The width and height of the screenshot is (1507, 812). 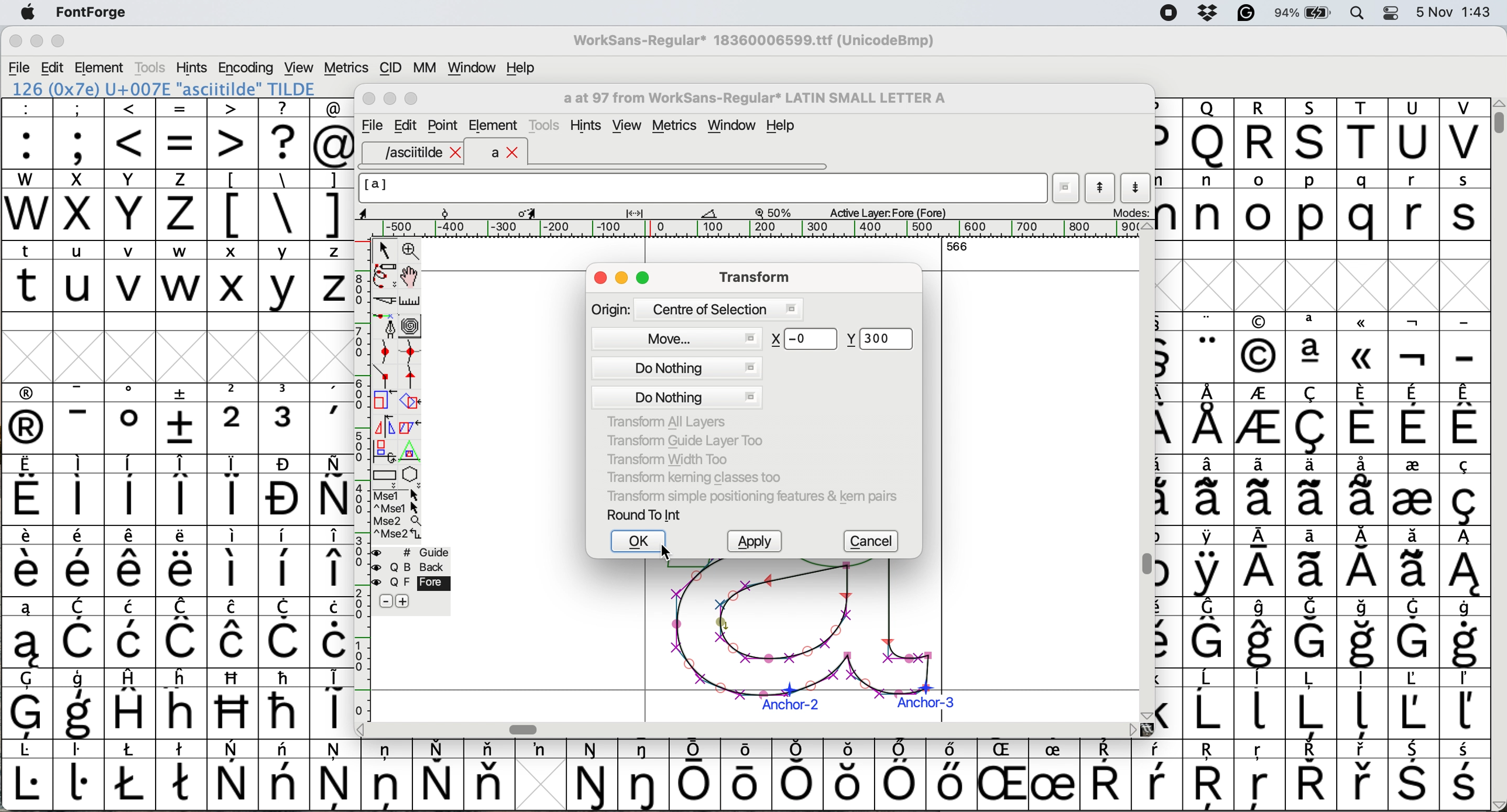 What do you see at coordinates (361, 466) in the screenshot?
I see `vertical scale` at bounding box center [361, 466].